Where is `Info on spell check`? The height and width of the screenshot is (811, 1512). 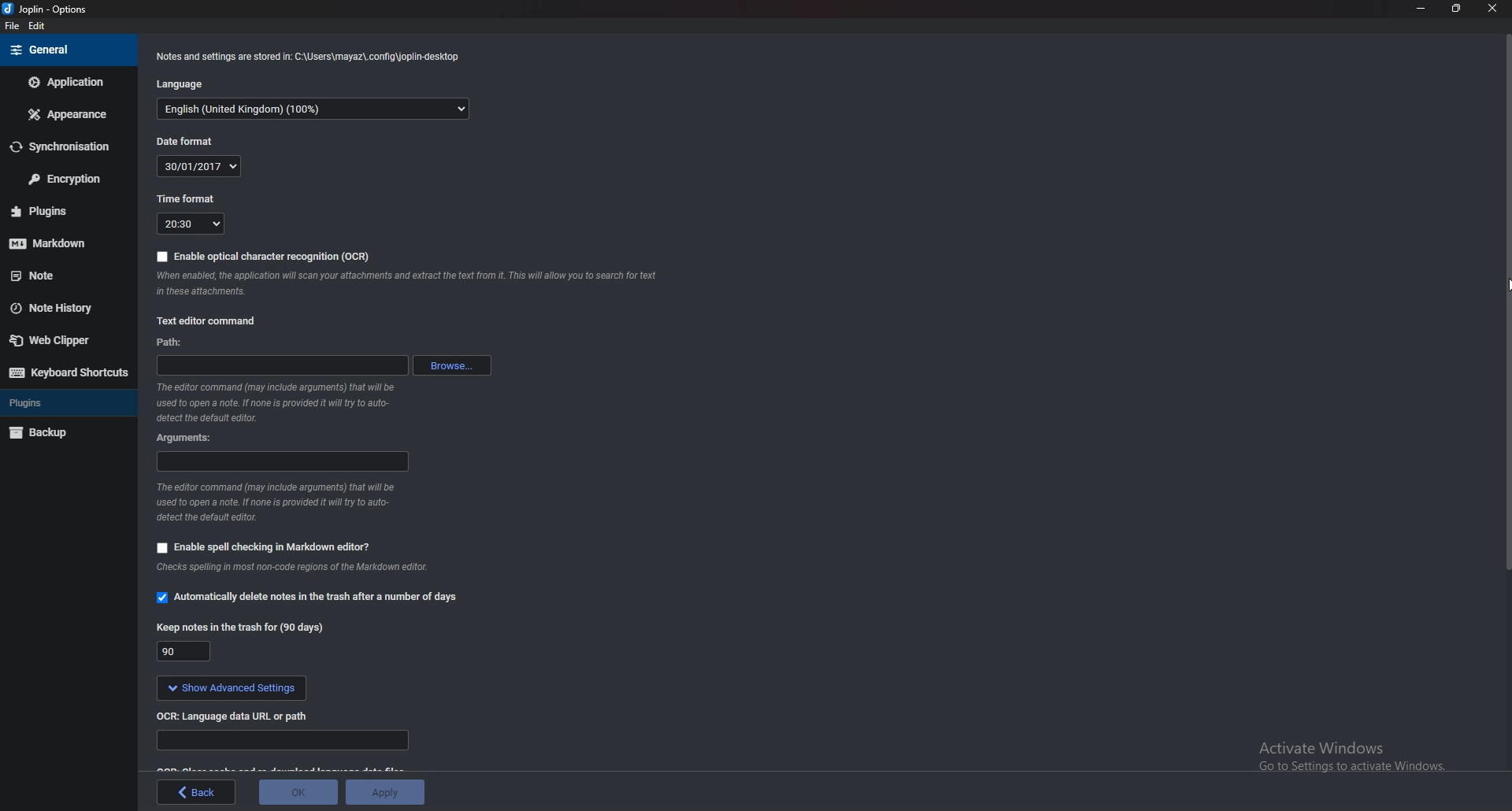
Info on spell check is located at coordinates (295, 567).